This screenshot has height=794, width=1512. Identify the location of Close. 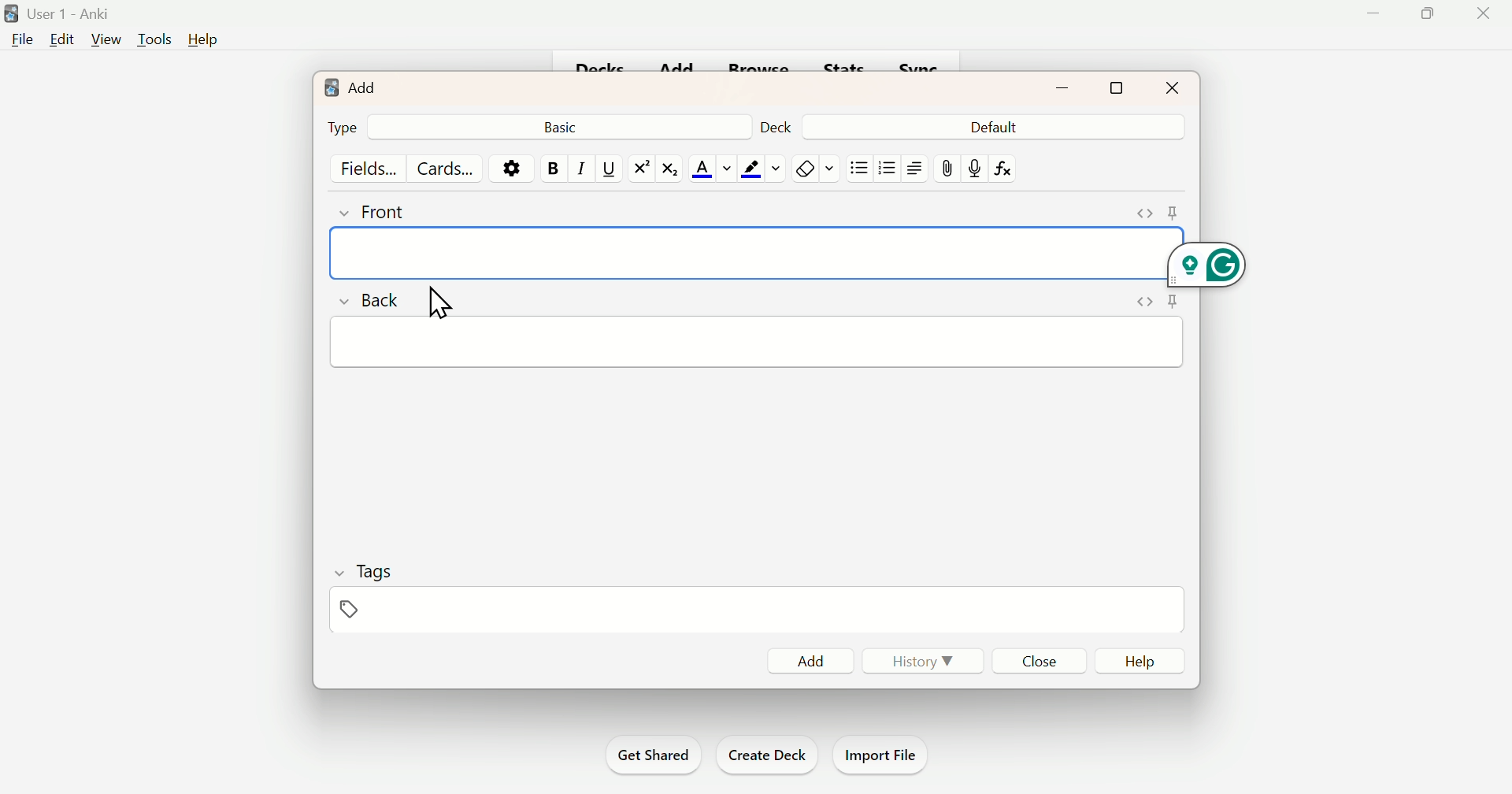
(1484, 13).